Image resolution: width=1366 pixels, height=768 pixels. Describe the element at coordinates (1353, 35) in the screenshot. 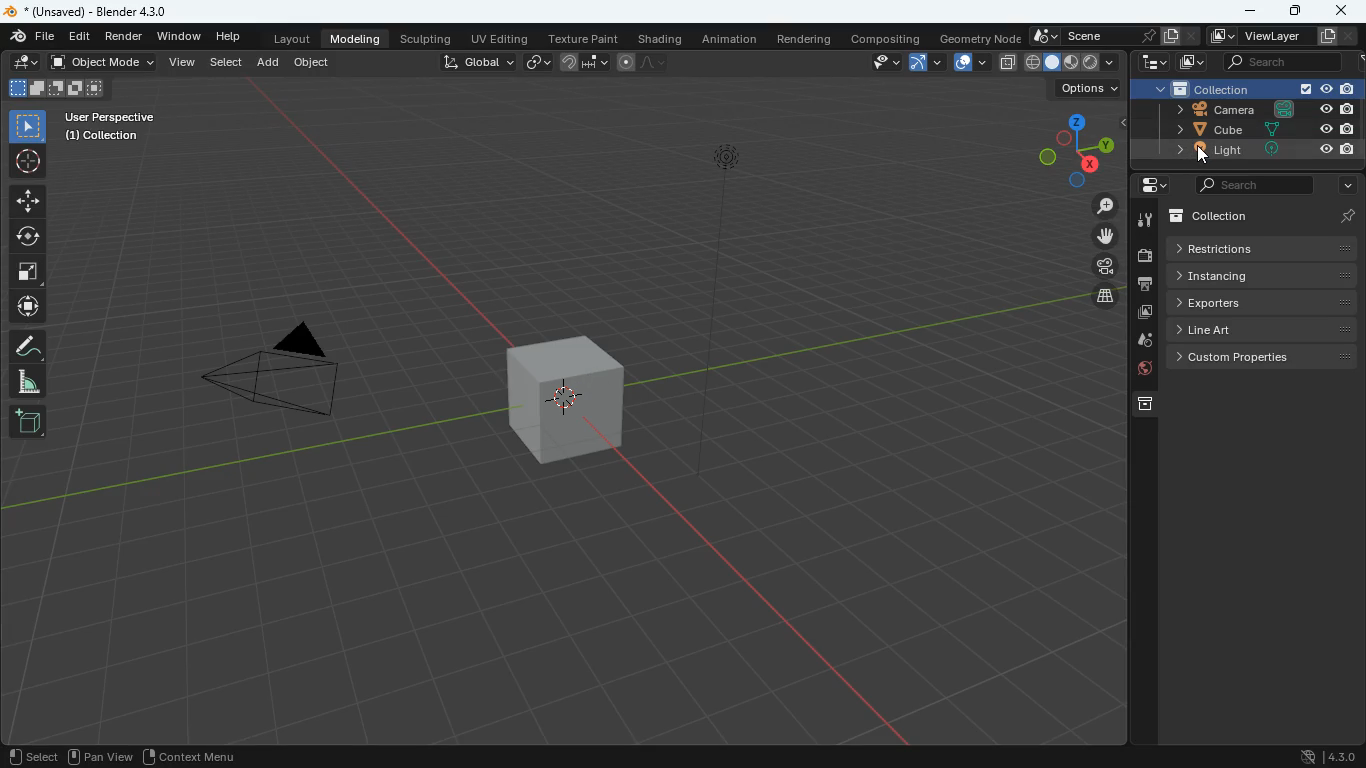

I see `Close` at that location.